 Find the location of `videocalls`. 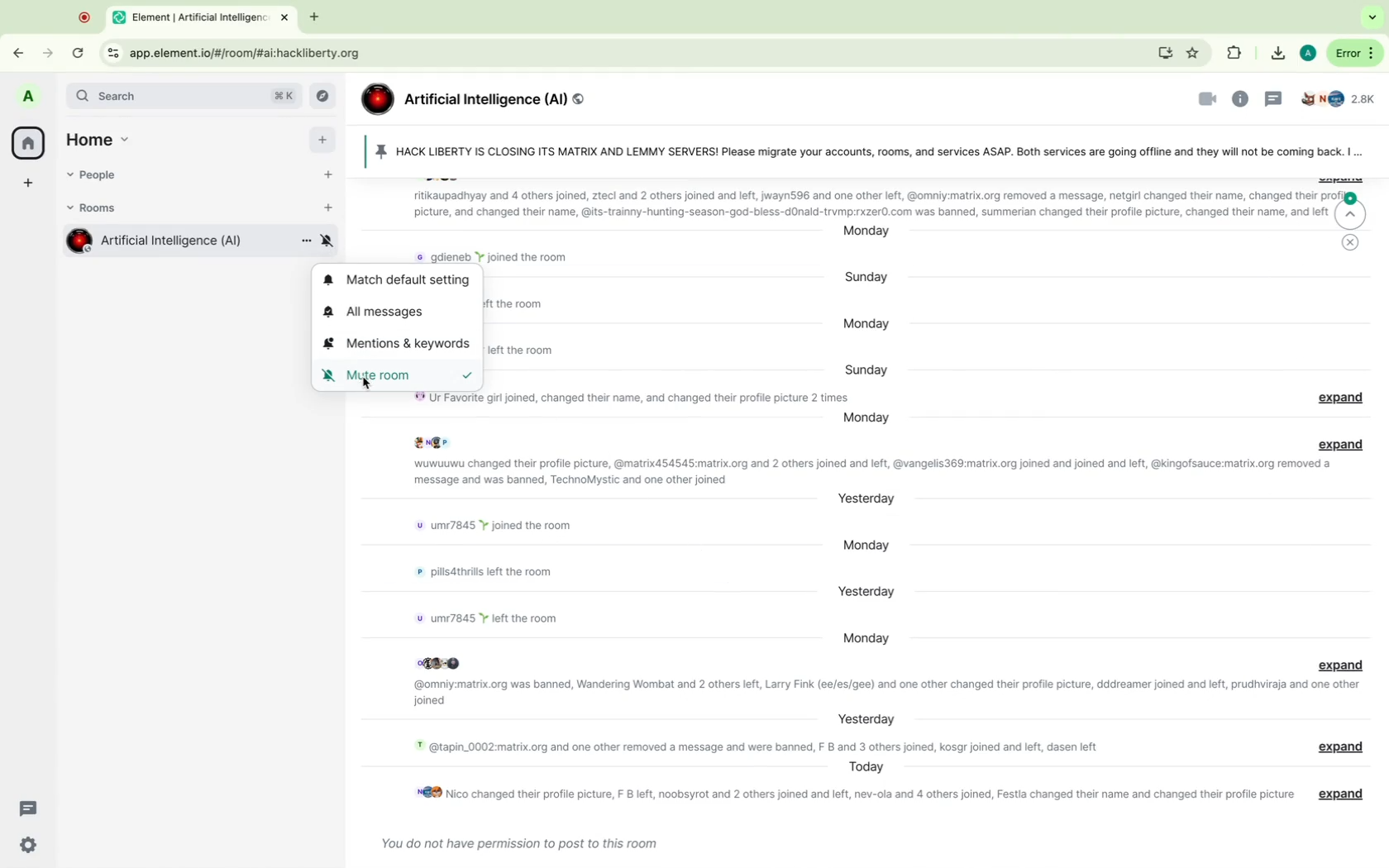

videocalls is located at coordinates (1199, 101).